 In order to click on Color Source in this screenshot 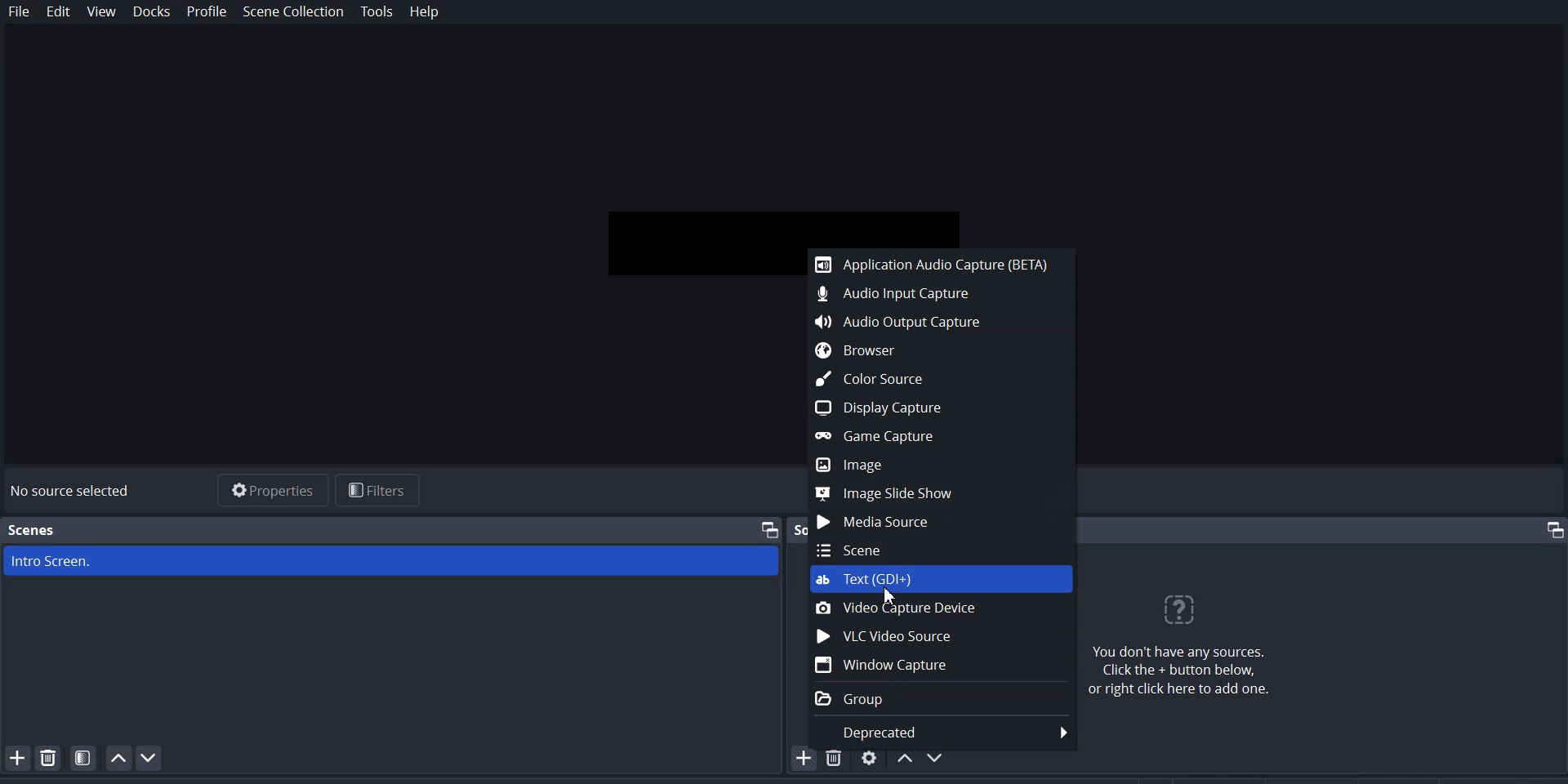, I will do `click(933, 378)`.